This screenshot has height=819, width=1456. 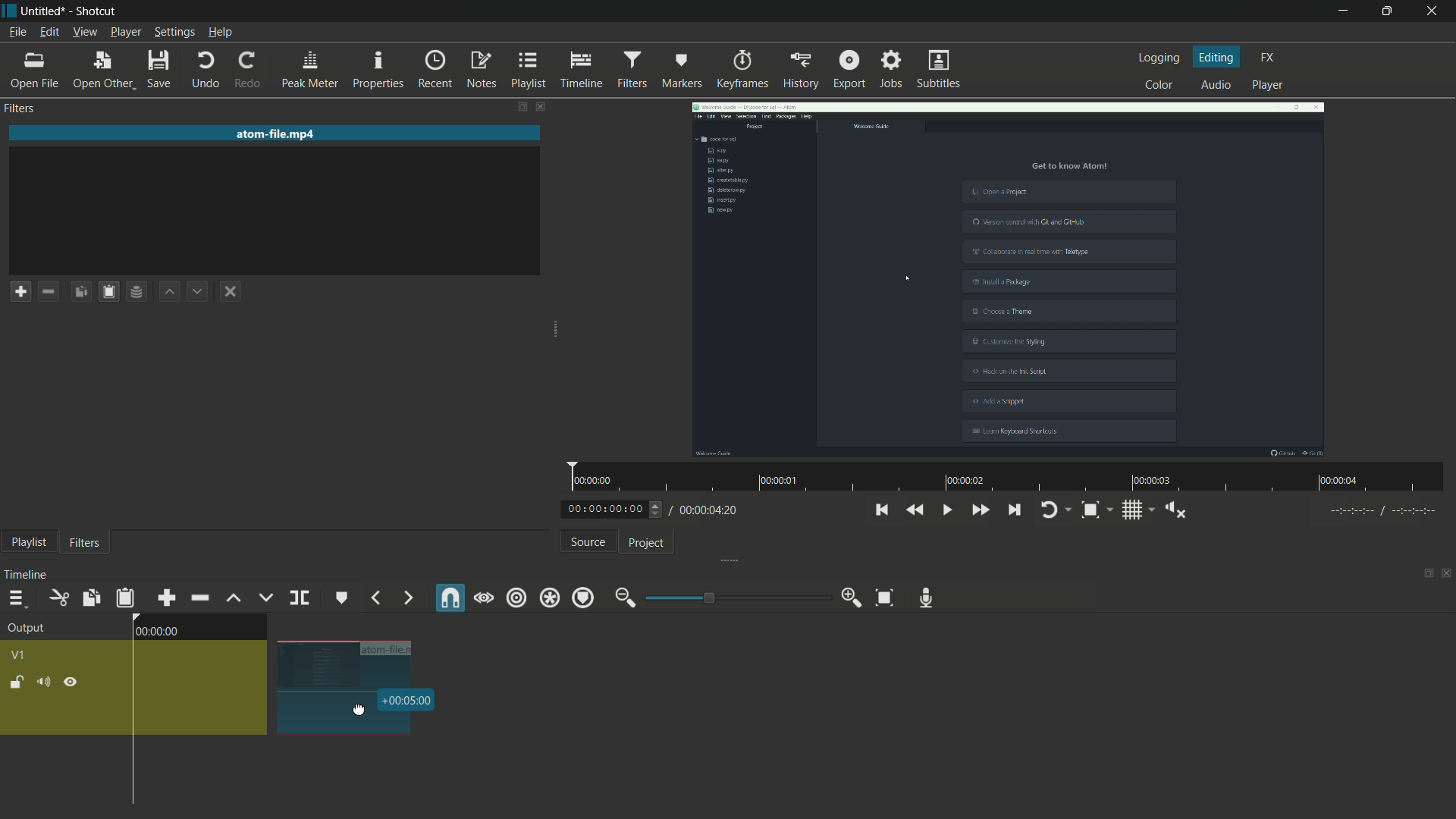 I want to click on file name, so click(x=278, y=134).